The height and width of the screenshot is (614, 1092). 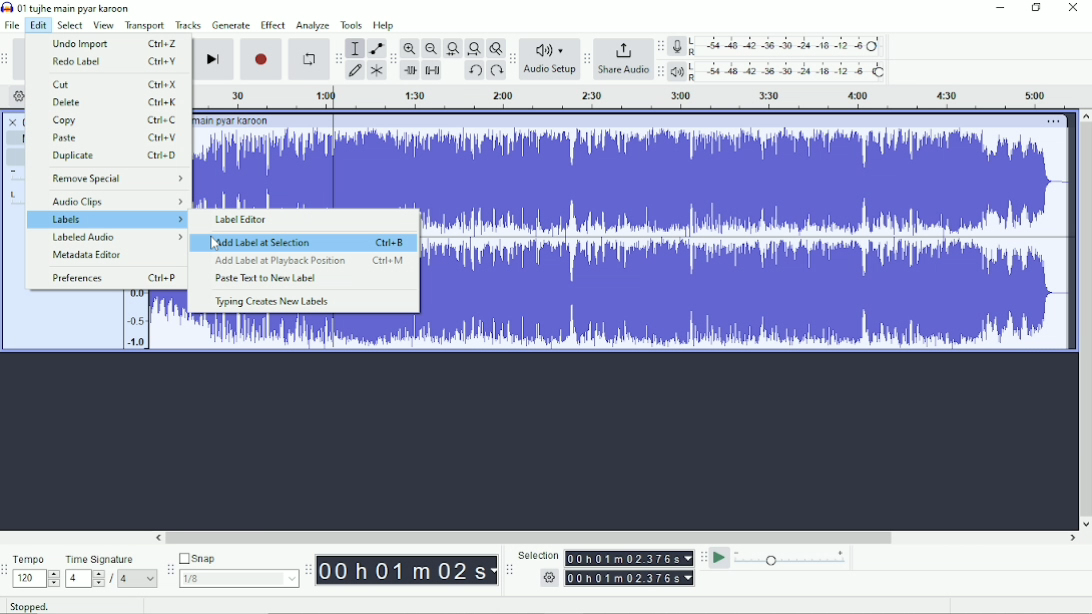 What do you see at coordinates (116, 201) in the screenshot?
I see `Audio Clips` at bounding box center [116, 201].